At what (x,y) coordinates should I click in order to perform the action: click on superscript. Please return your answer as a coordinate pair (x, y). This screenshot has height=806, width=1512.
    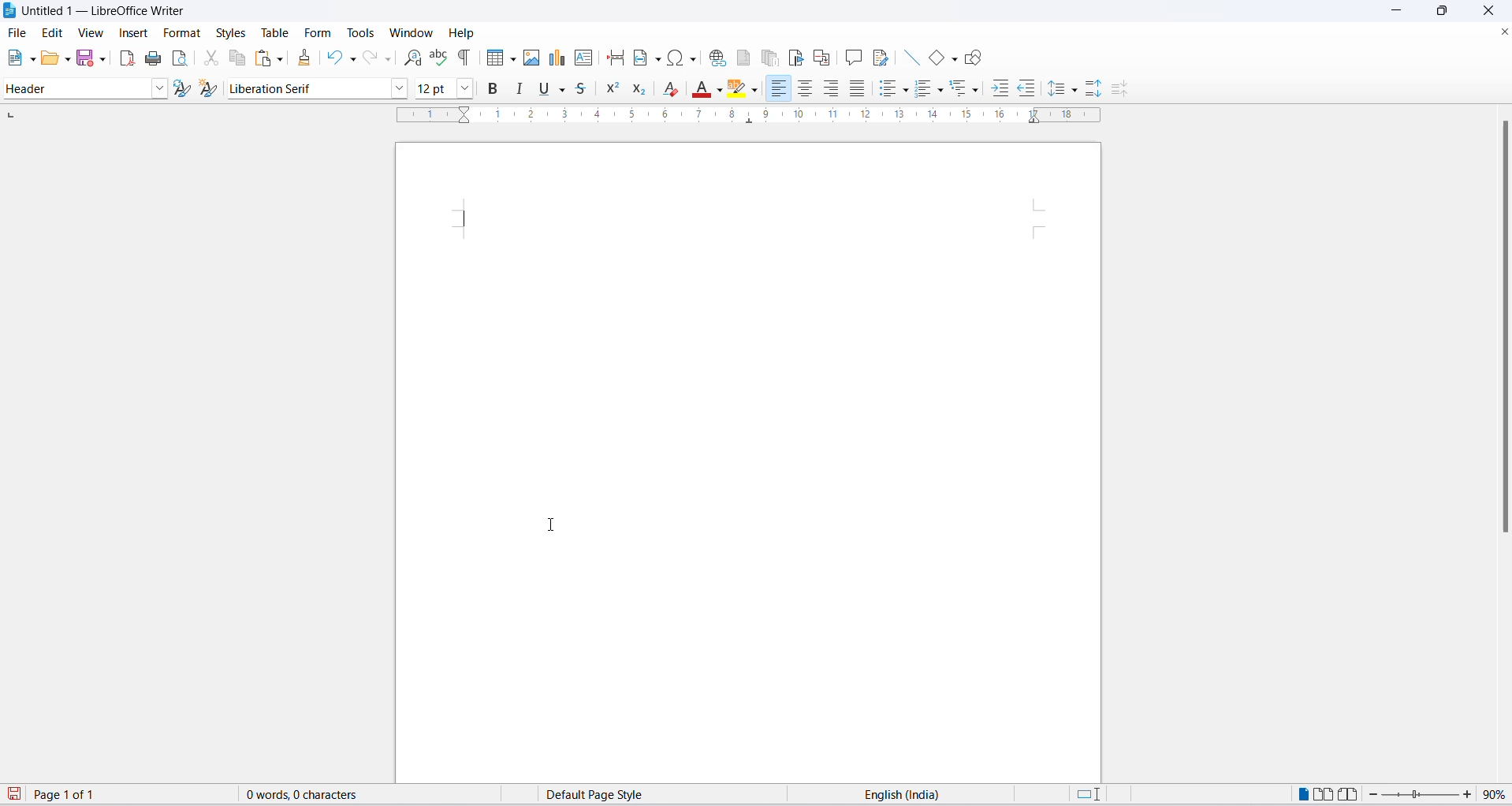
    Looking at the image, I should click on (615, 90).